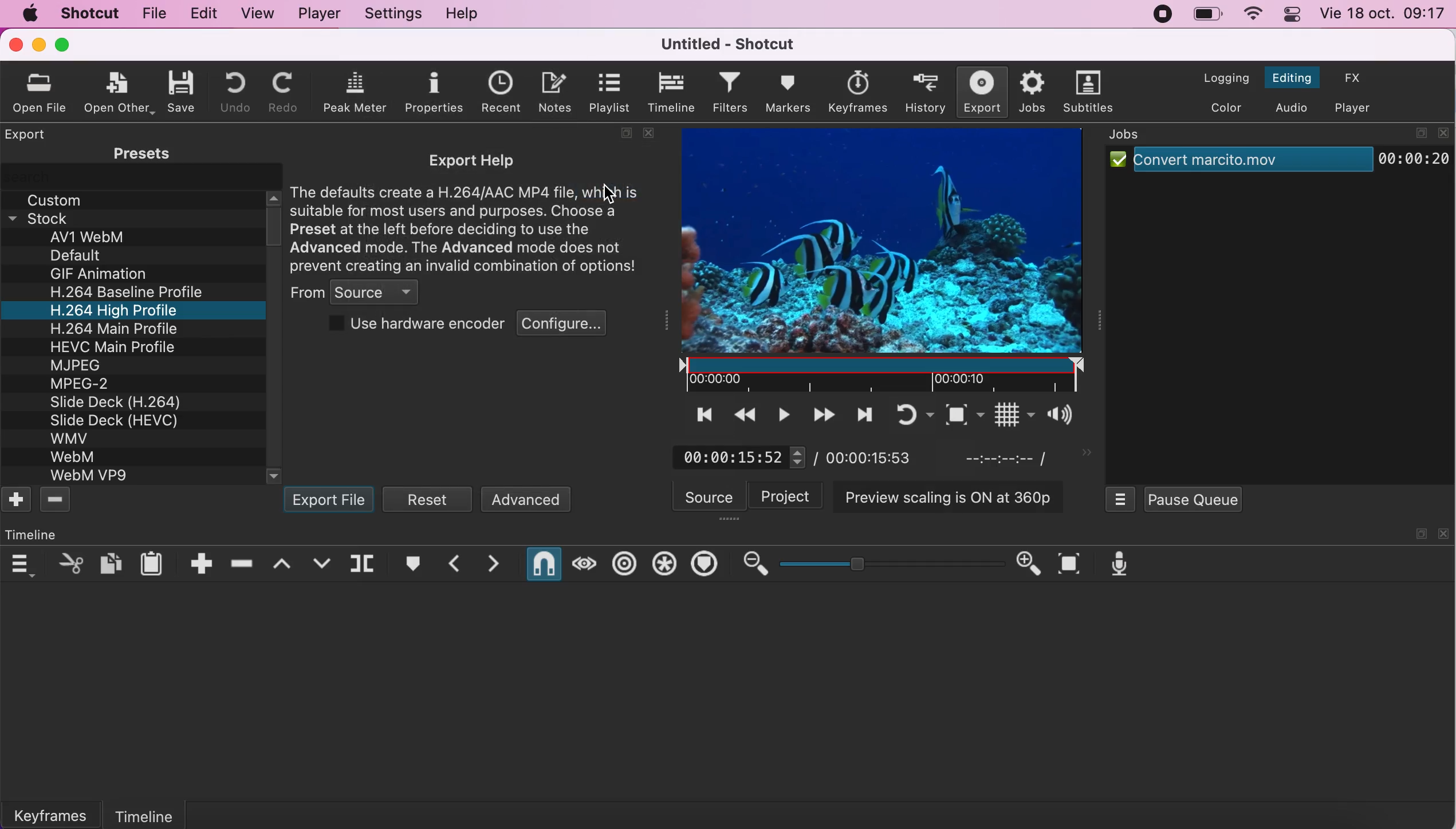 This screenshot has width=1456, height=829. Describe the element at coordinates (1443, 133) in the screenshot. I see `close` at that location.